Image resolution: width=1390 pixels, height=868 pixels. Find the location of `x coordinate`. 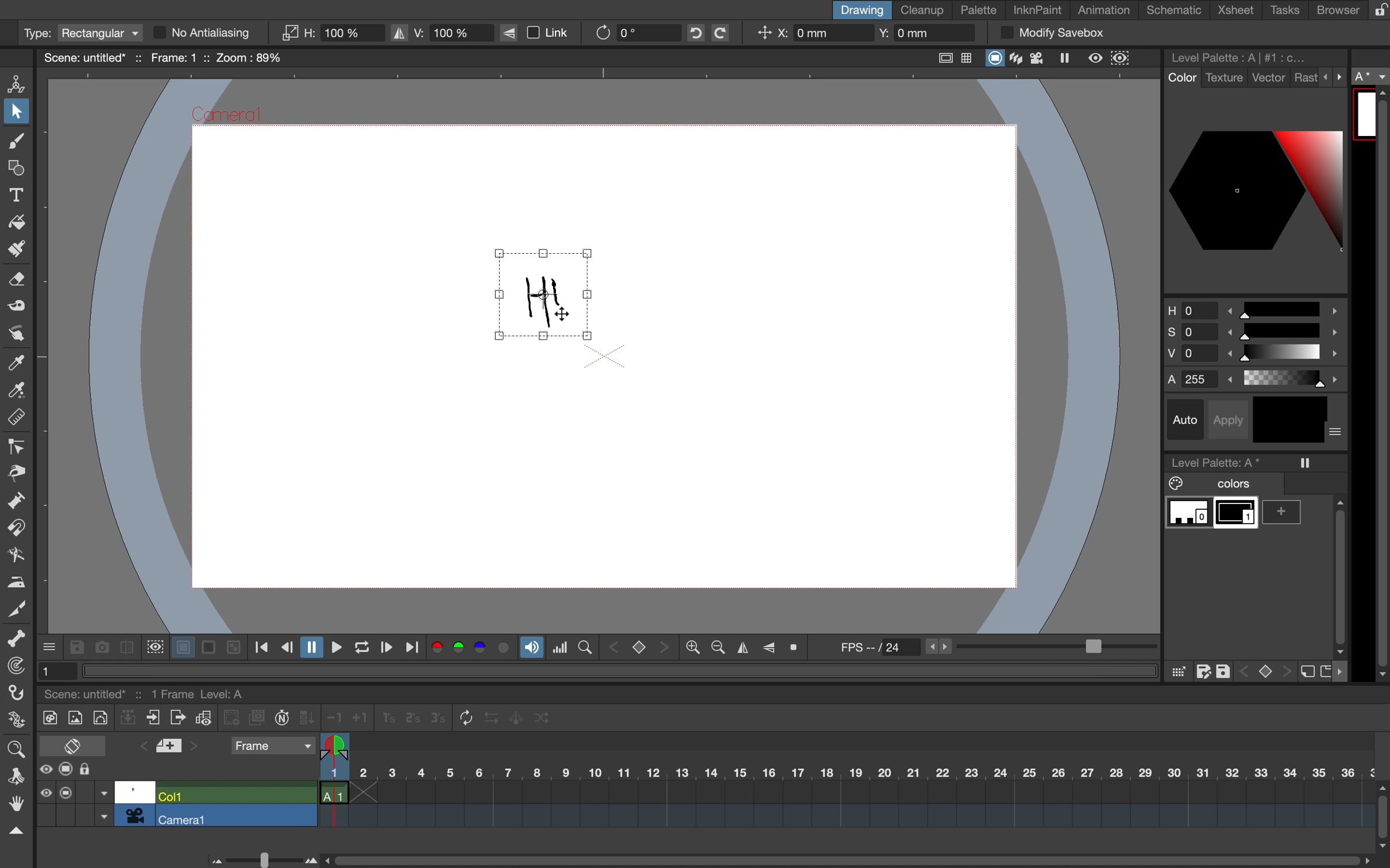

x coordinate is located at coordinates (809, 34).